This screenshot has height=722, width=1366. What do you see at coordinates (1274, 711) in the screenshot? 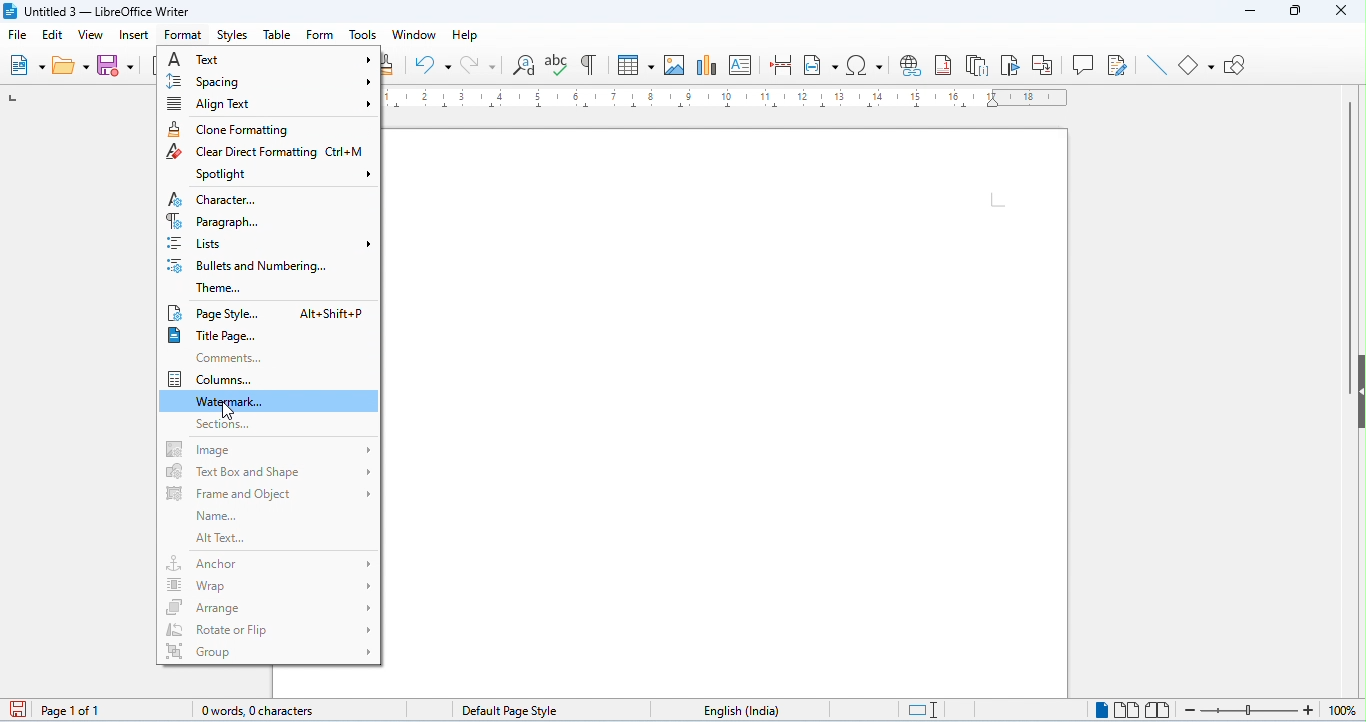
I see `zoom` at bounding box center [1274, 711].